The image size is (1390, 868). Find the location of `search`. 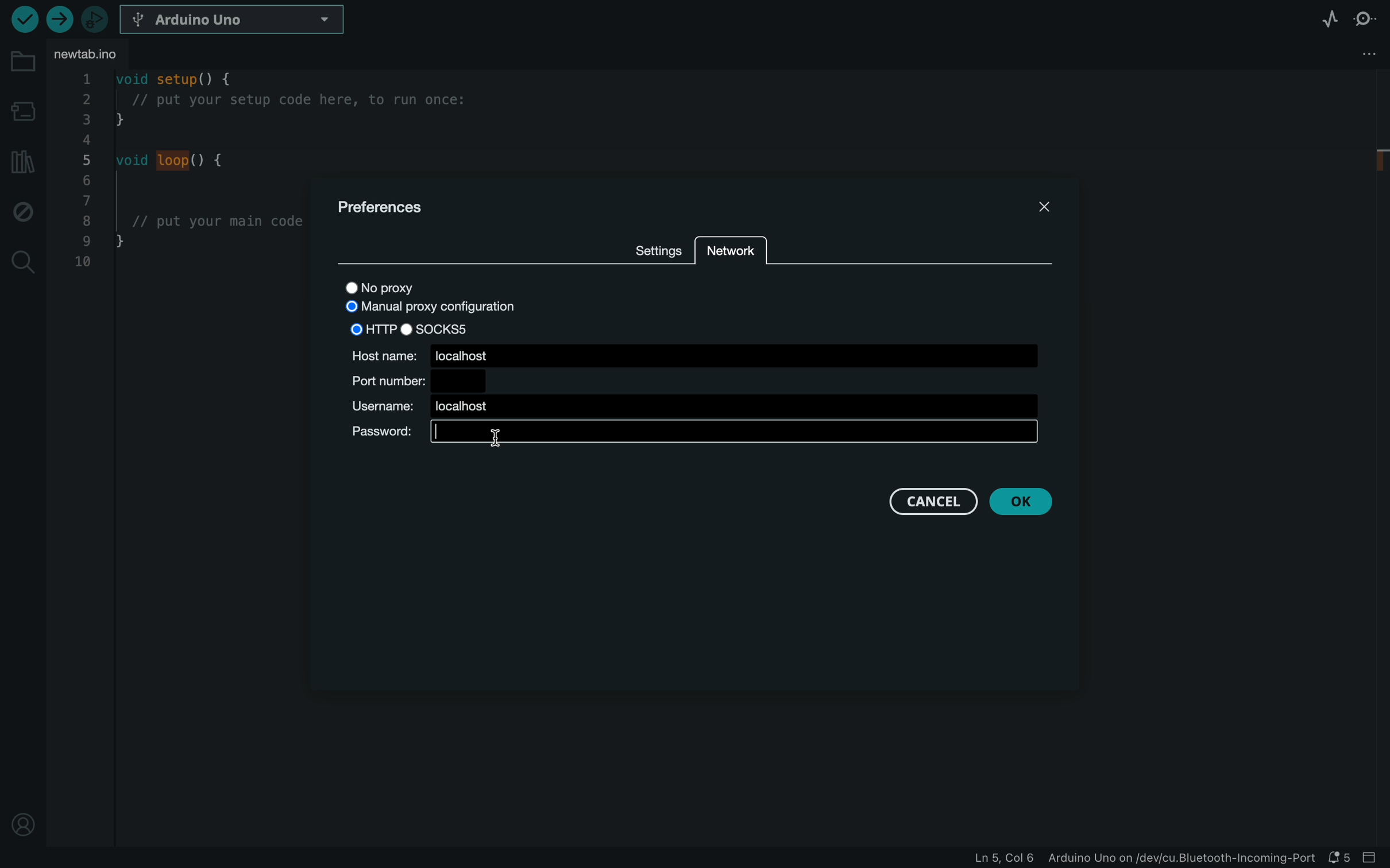

search is located at coordinates (23, 260).